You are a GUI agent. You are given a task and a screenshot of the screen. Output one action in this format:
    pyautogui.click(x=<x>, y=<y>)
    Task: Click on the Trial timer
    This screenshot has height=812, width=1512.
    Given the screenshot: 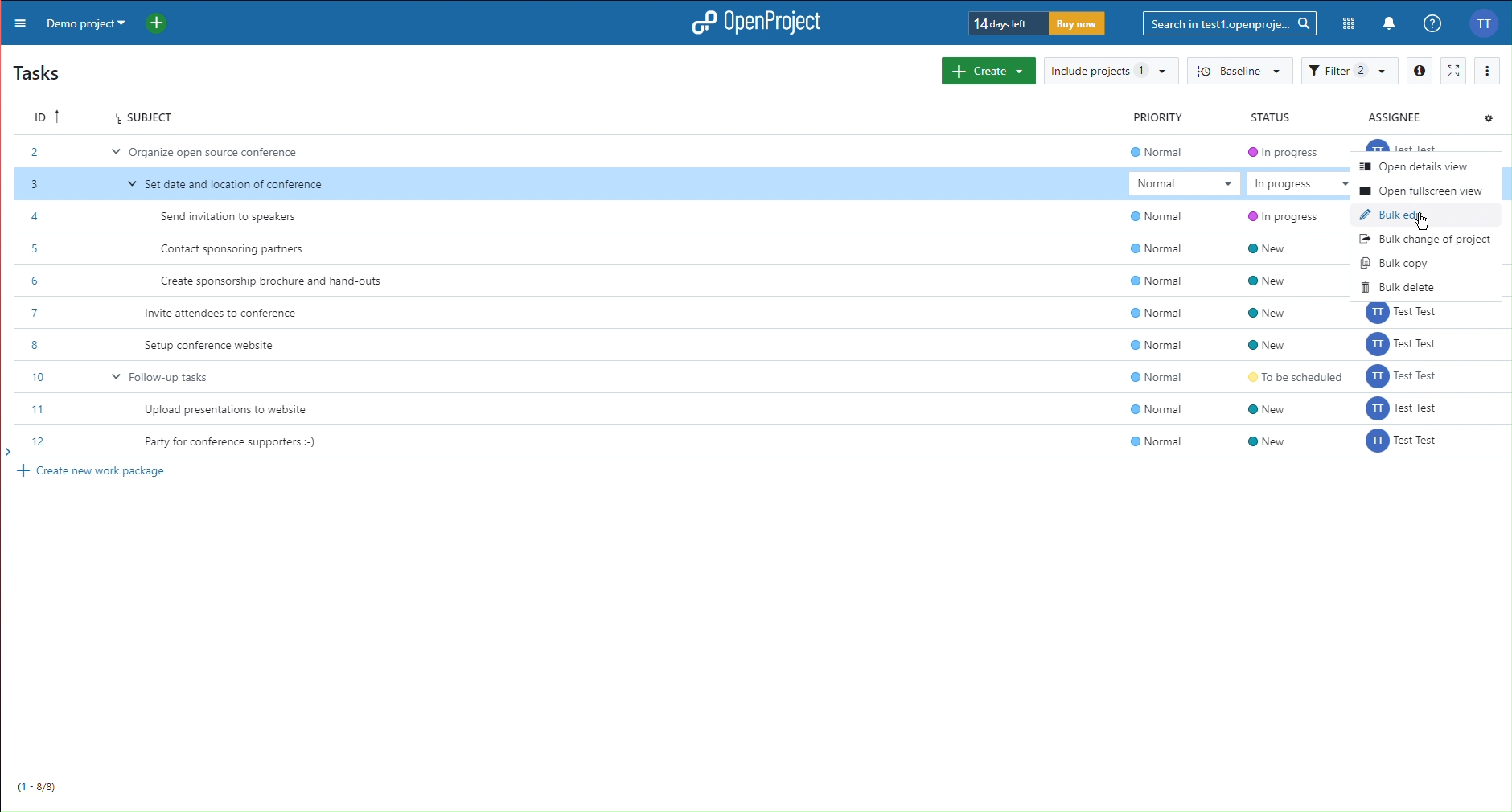 What is the action you would take?
    pyautogui.click(x=1038, y=23)
    